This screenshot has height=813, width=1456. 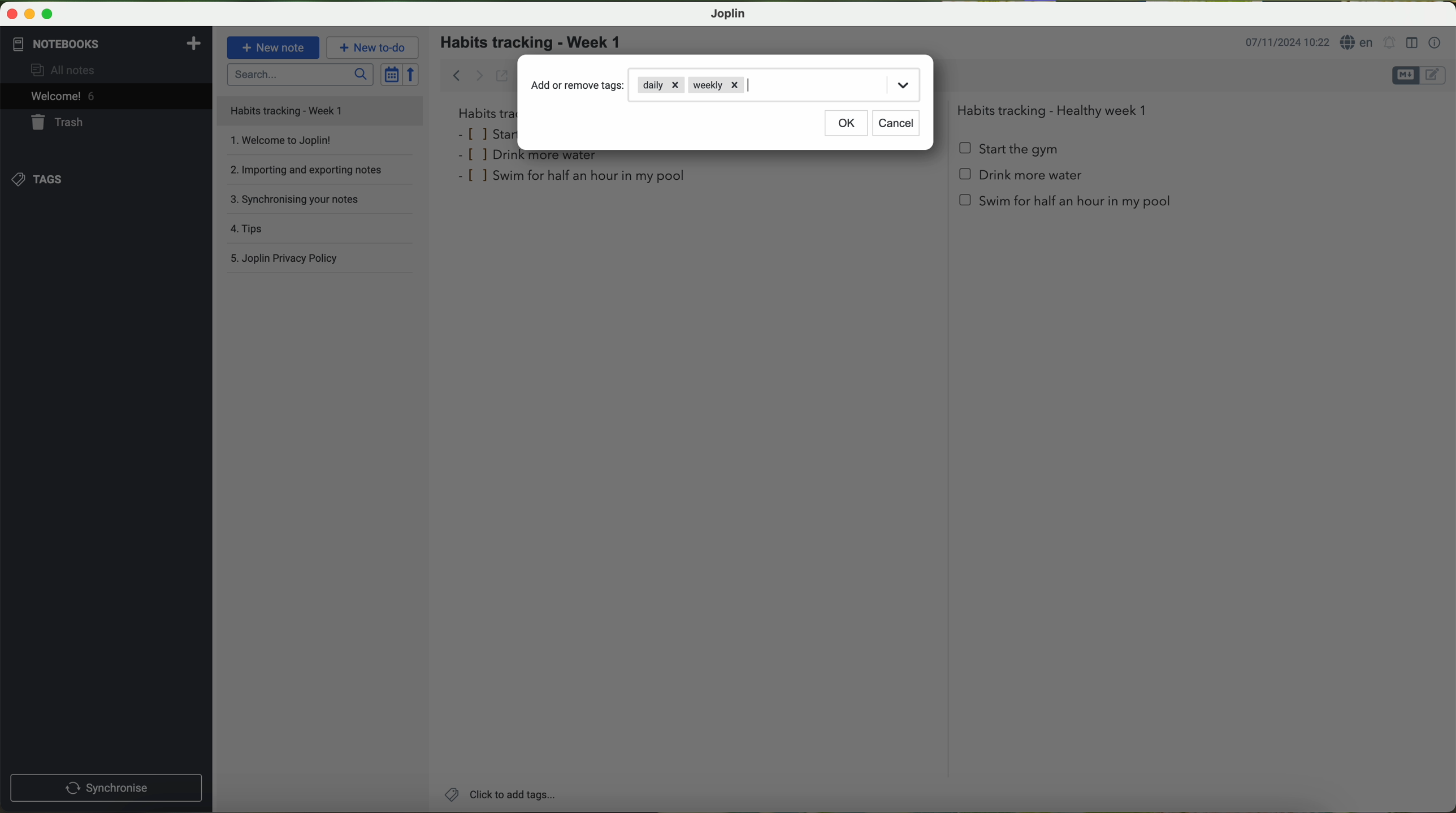 I want to click on notebooks tab, so click(x=108, y=44).